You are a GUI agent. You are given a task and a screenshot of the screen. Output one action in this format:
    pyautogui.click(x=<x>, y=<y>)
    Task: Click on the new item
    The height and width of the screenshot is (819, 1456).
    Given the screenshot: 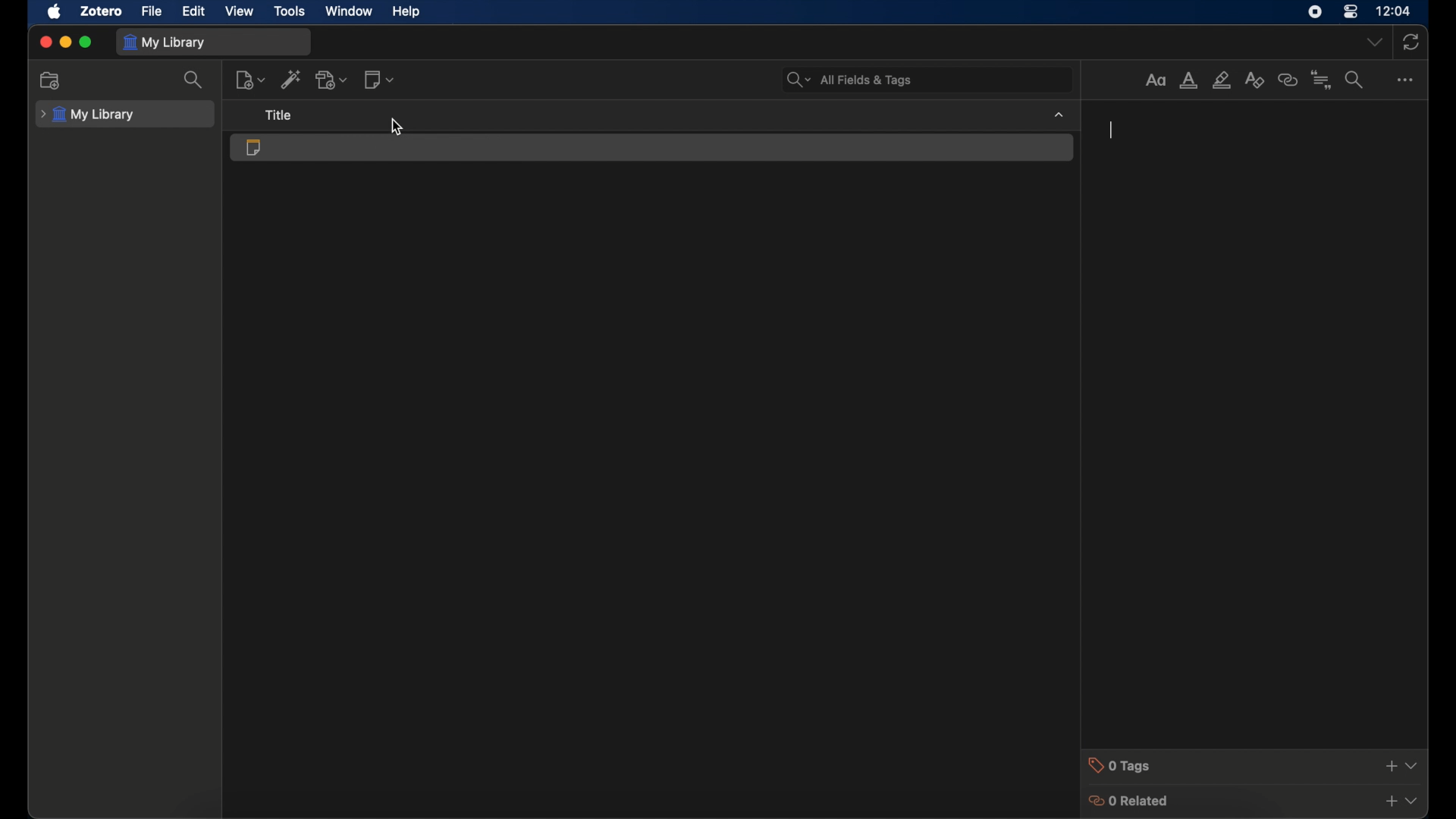 What is the action you would take?
    pyautogui.click(x=250, y=80)
    